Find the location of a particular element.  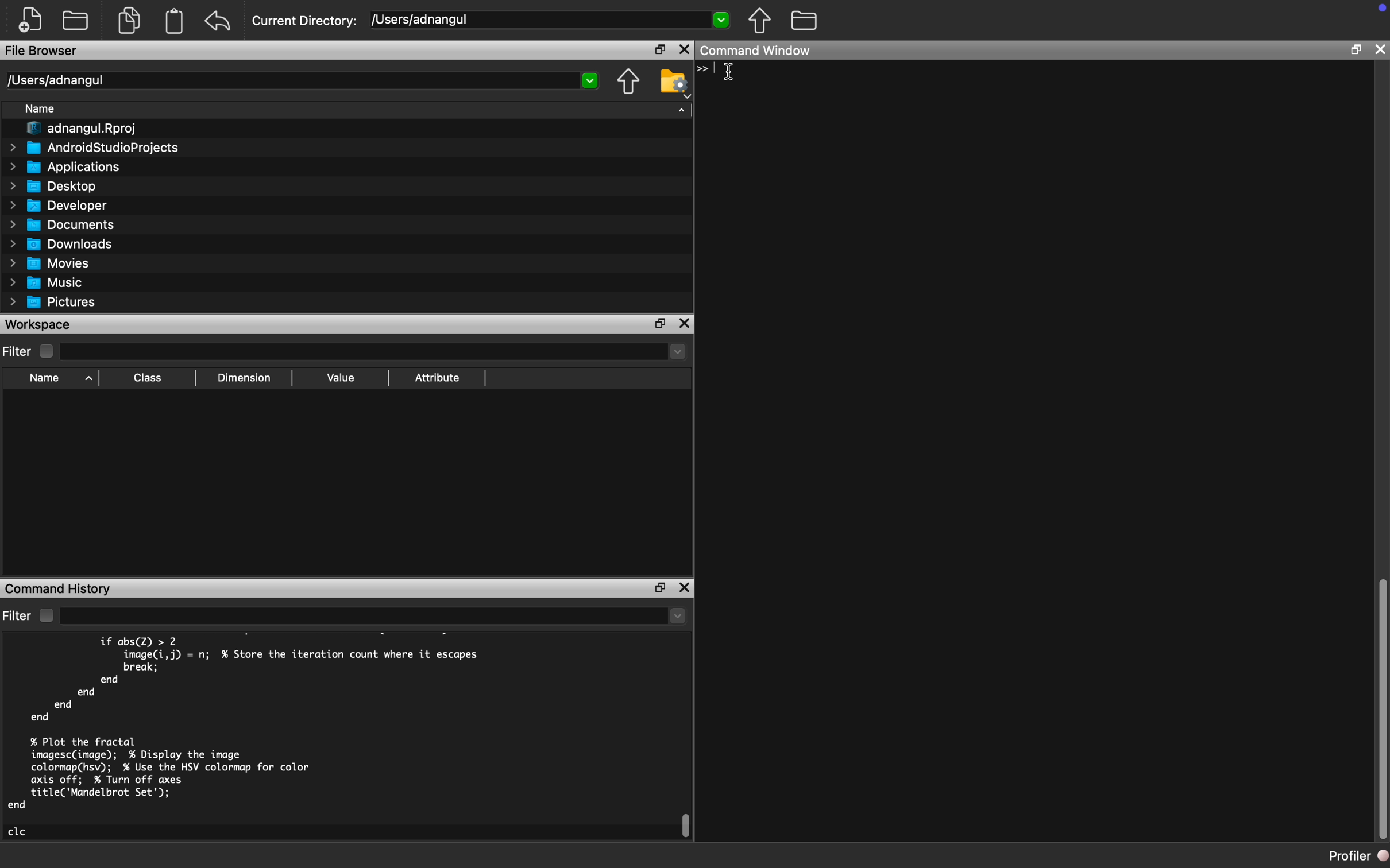

clc is located at coordinates (19, 831).